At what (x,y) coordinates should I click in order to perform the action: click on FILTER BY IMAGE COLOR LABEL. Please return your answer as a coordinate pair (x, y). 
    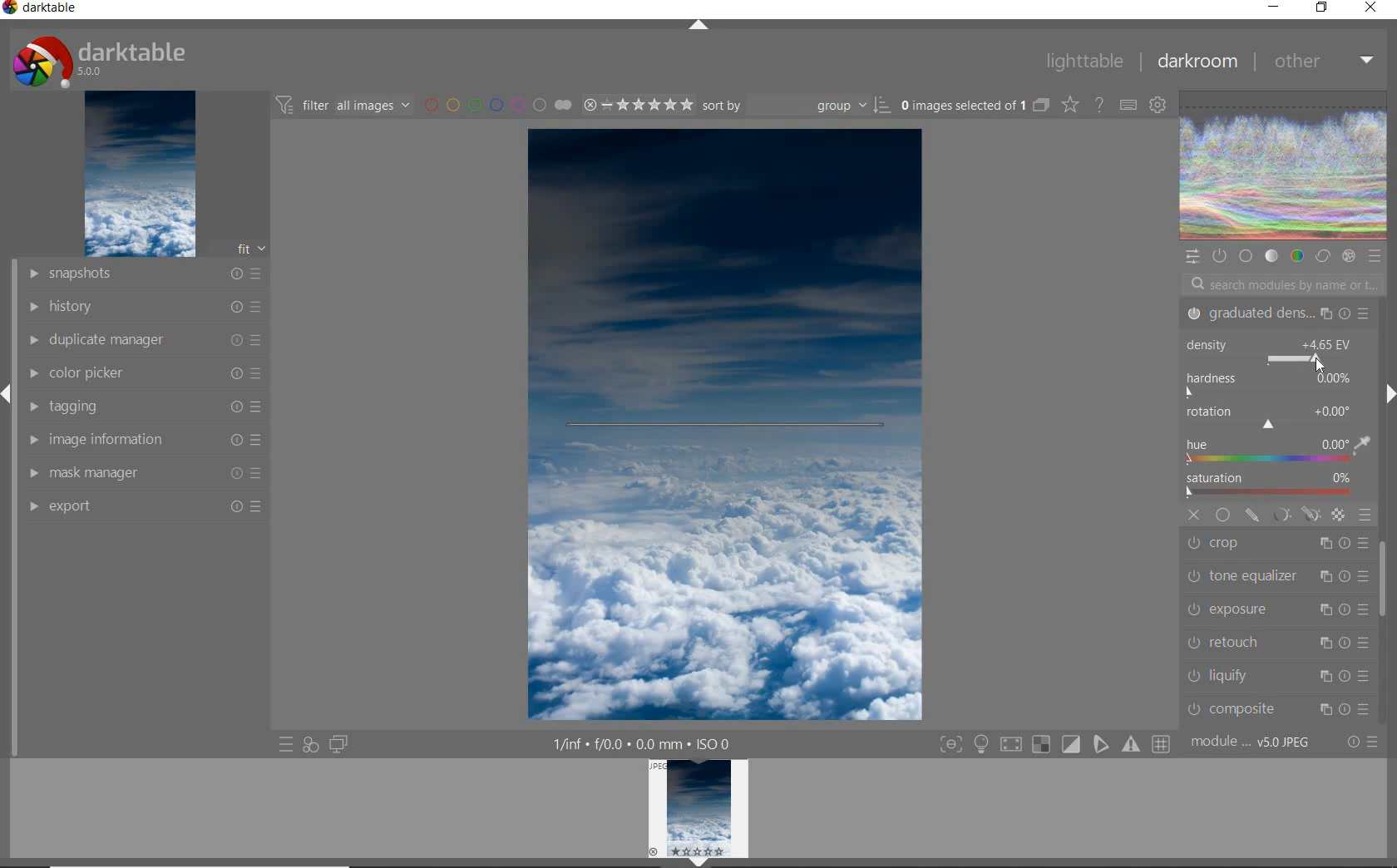
    Looking at the image, I should click on (496, 104).